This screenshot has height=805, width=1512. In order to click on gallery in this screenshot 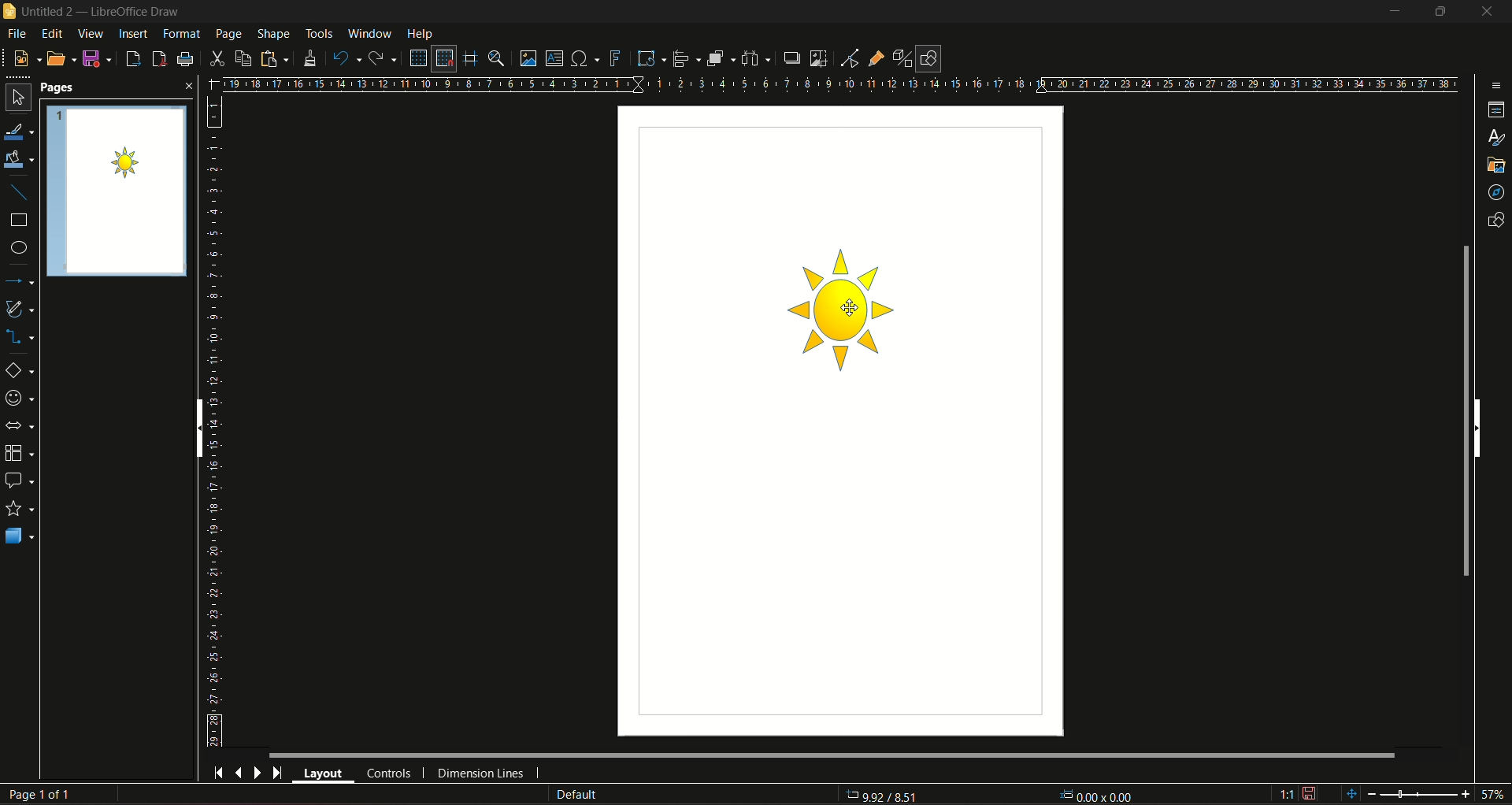, I will do `click(1495, 165)`.